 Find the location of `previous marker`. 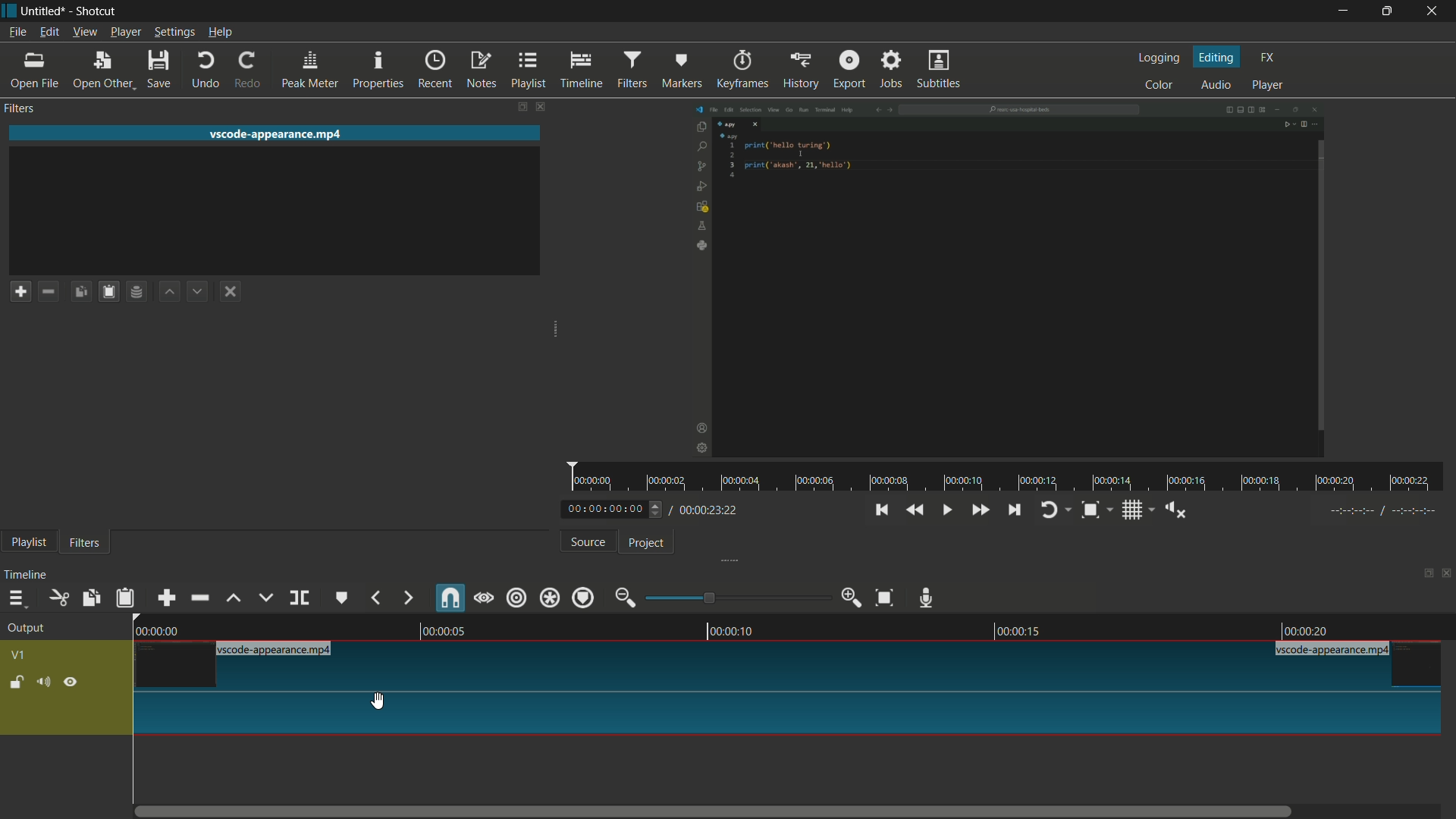

previous marker is located at coordinates (375, 598).